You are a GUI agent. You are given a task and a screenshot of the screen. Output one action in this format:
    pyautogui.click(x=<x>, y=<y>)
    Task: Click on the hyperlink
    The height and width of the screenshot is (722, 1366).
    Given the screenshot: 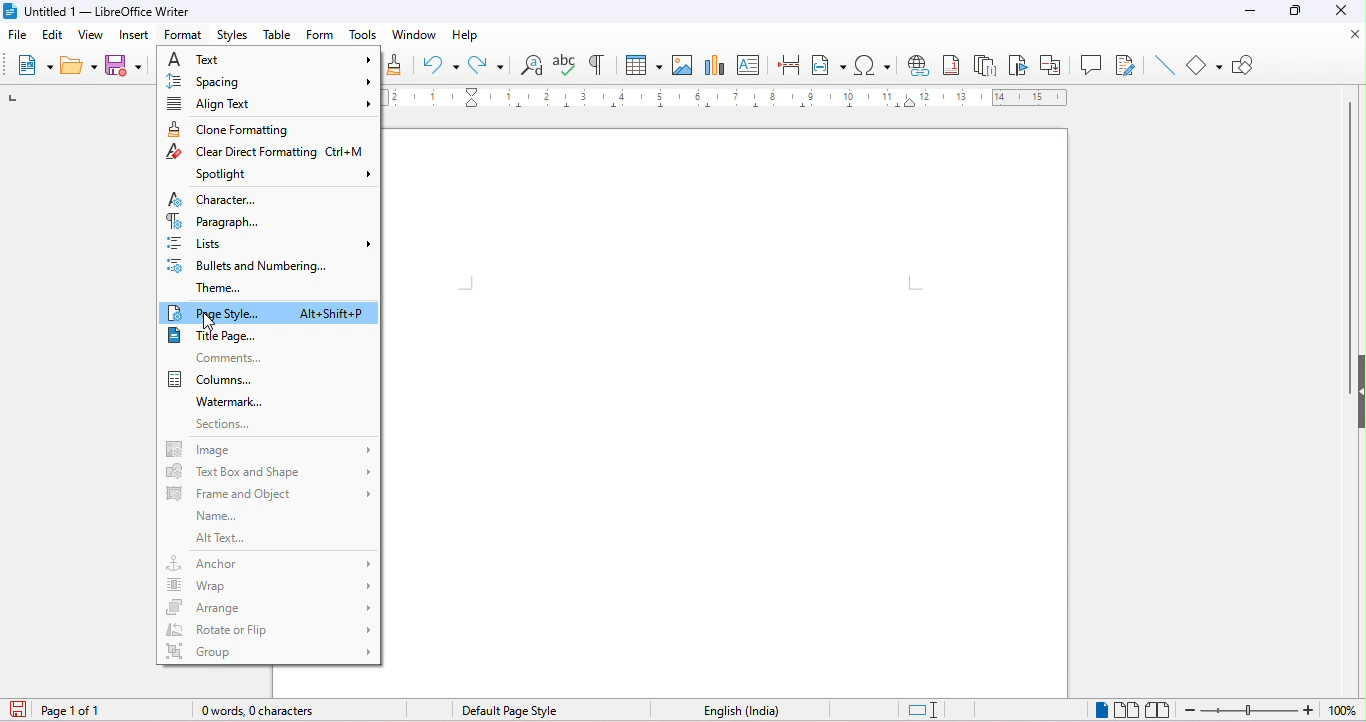 What is the action you would take?
    pyautogui.click(x=921, y=68)
    